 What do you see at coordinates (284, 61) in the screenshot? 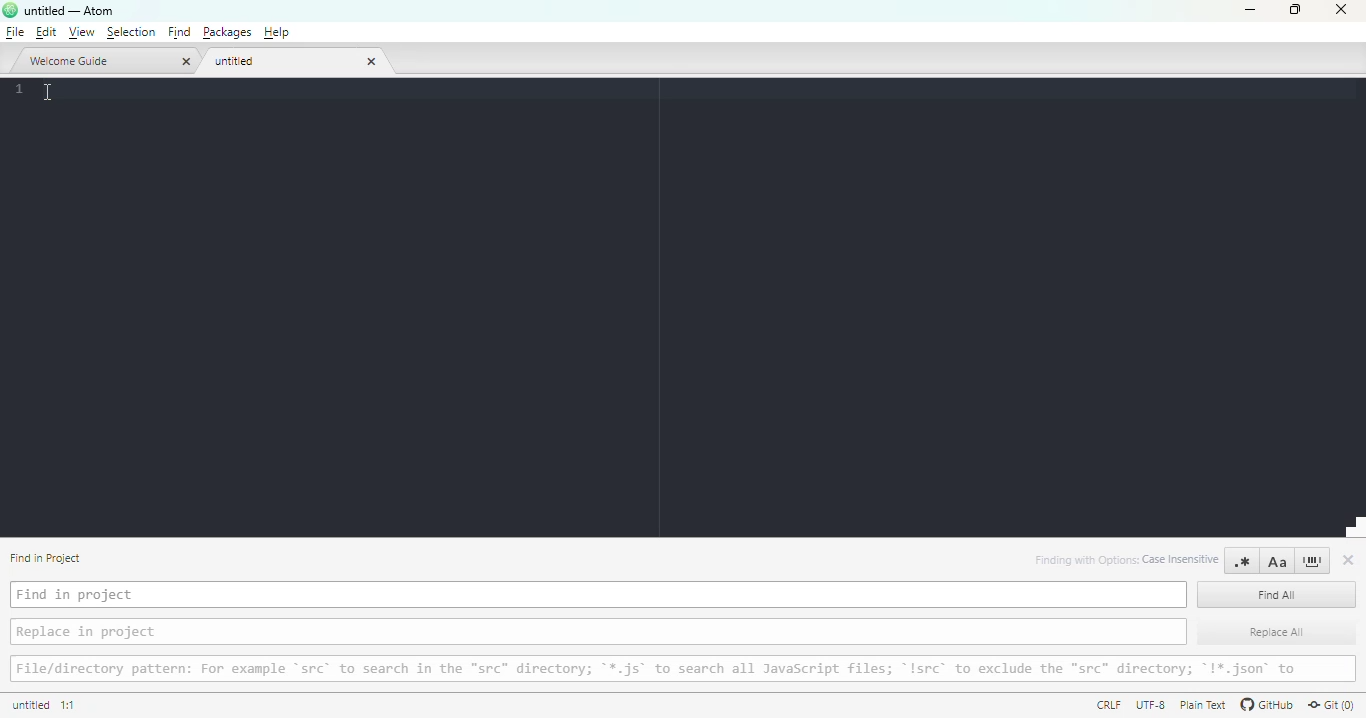
I see `untitled` at bounding box center [284, 61].